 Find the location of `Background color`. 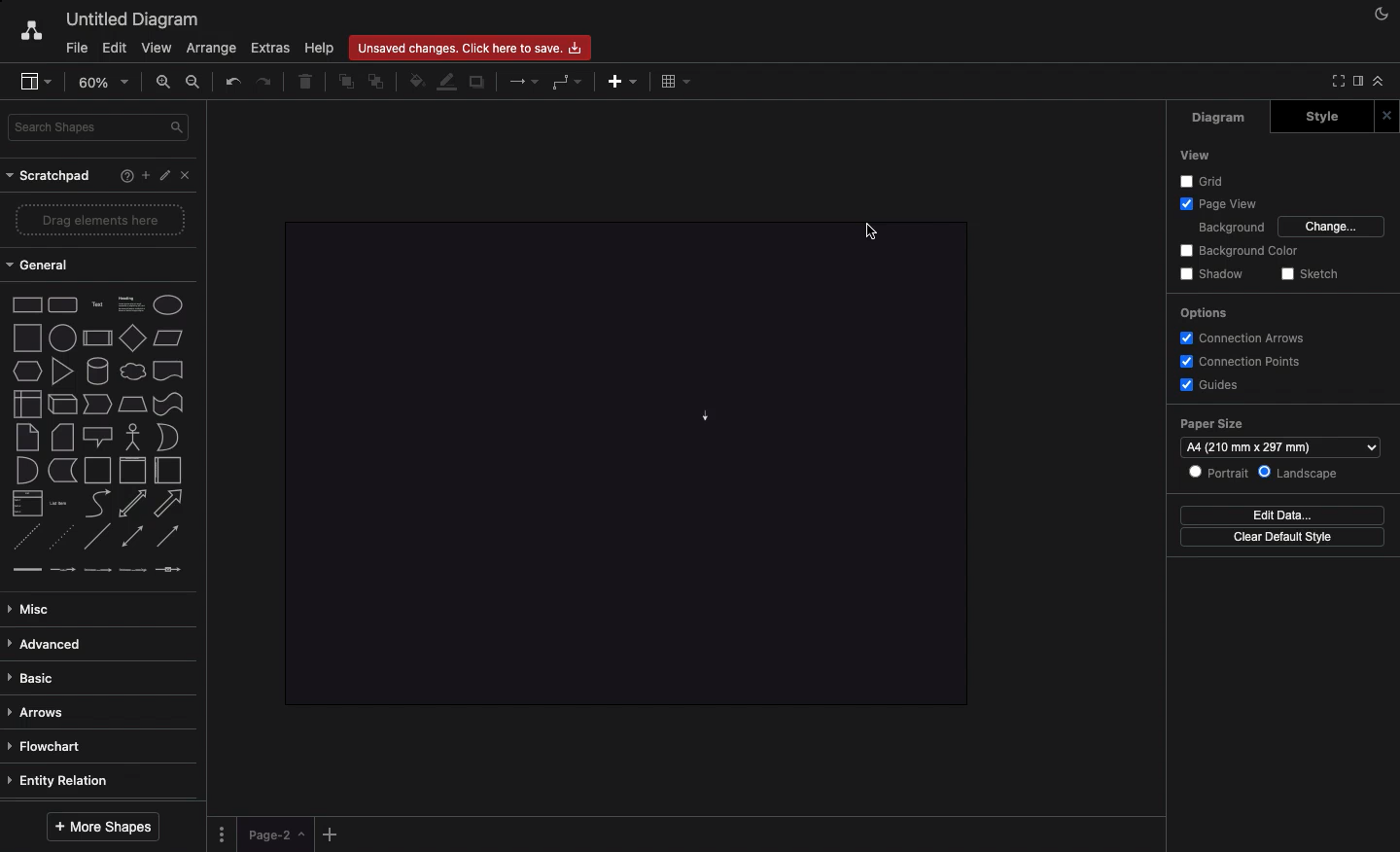

Background color is located at coordinates (1241, 251).